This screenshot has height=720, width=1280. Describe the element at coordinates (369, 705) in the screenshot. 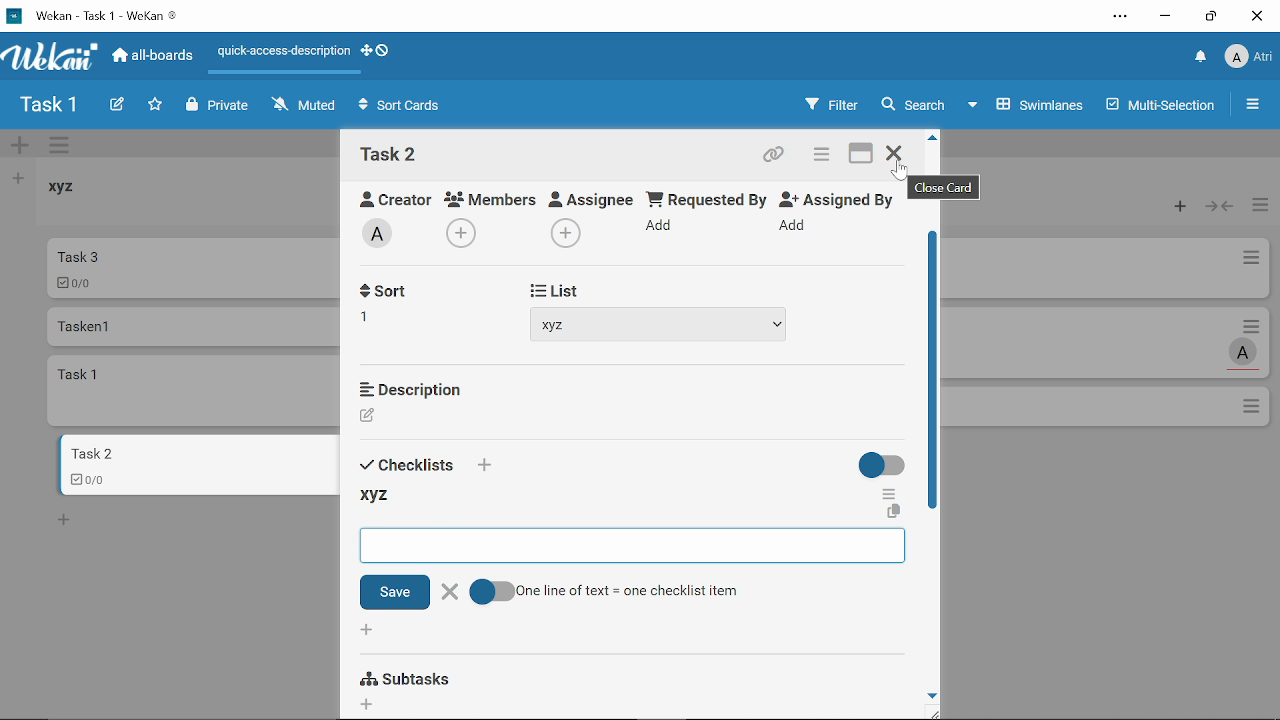

I see `Add` at that location.